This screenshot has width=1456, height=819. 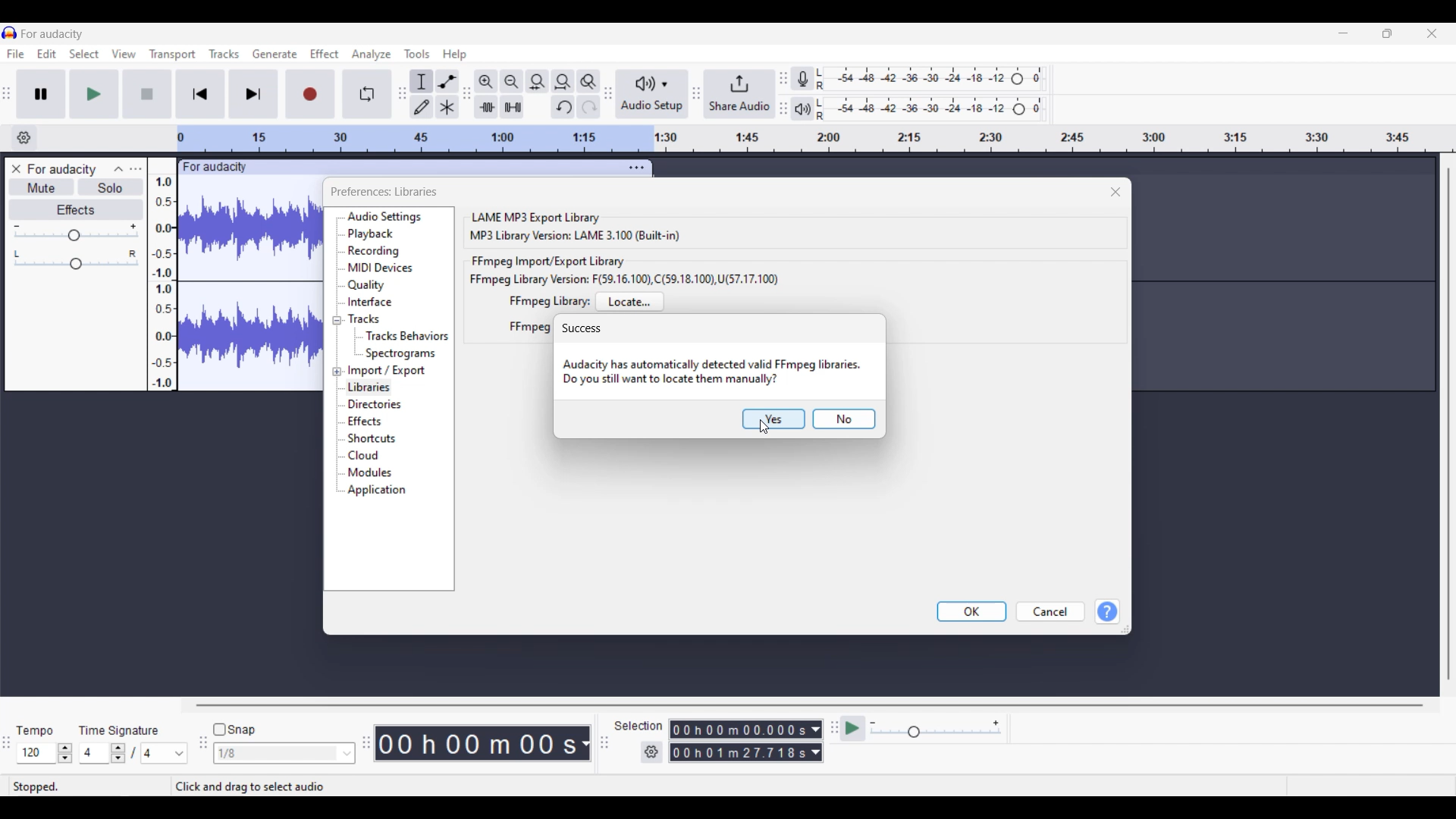 What do you see at coordinates (422, 107) in the screenshot?
I see `Draw tool` at bounding box center [422, 107].